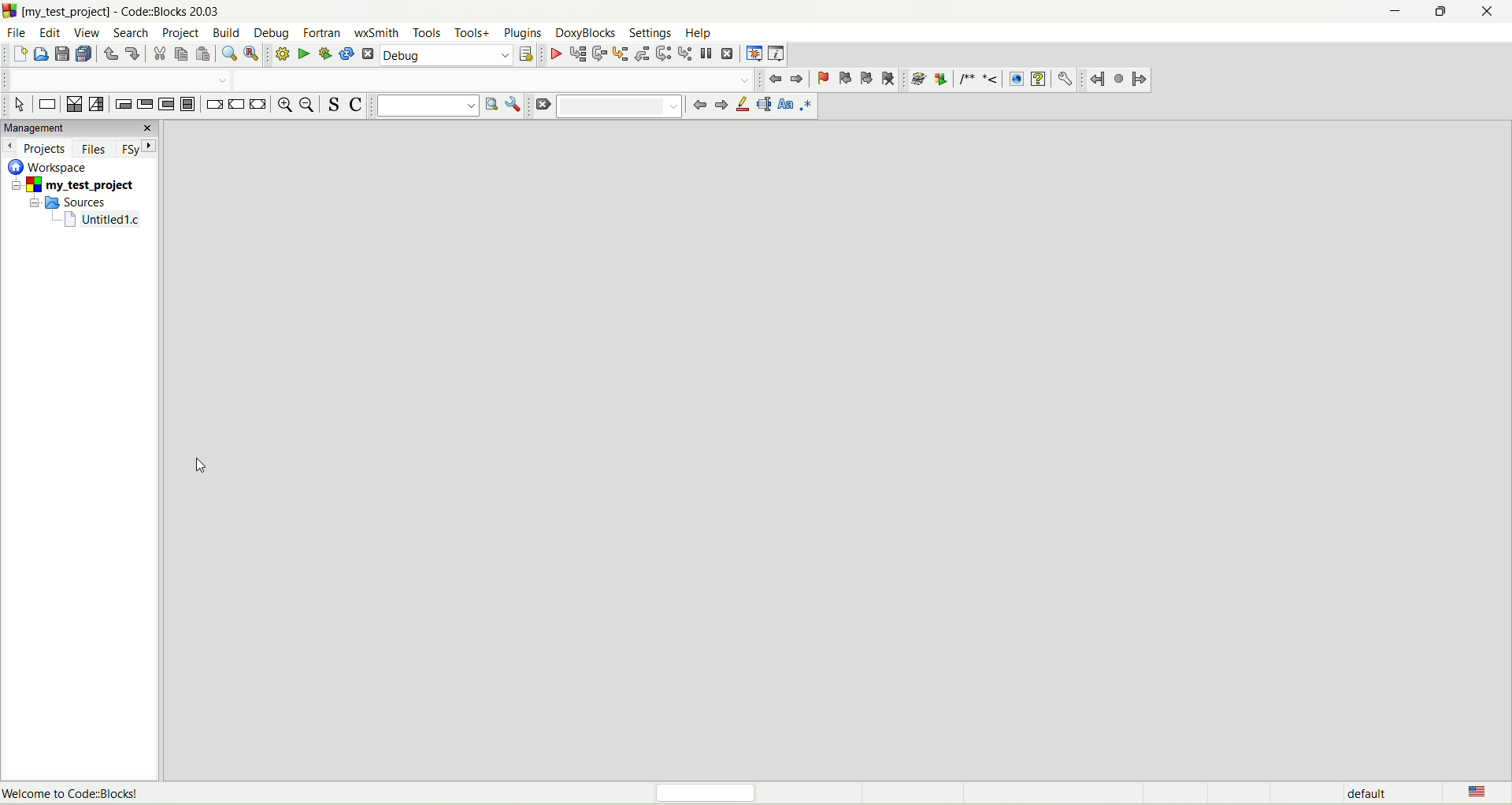 This screenshot has width=1512, height=805. I want to click on previous bookmark, so click(843, 79).